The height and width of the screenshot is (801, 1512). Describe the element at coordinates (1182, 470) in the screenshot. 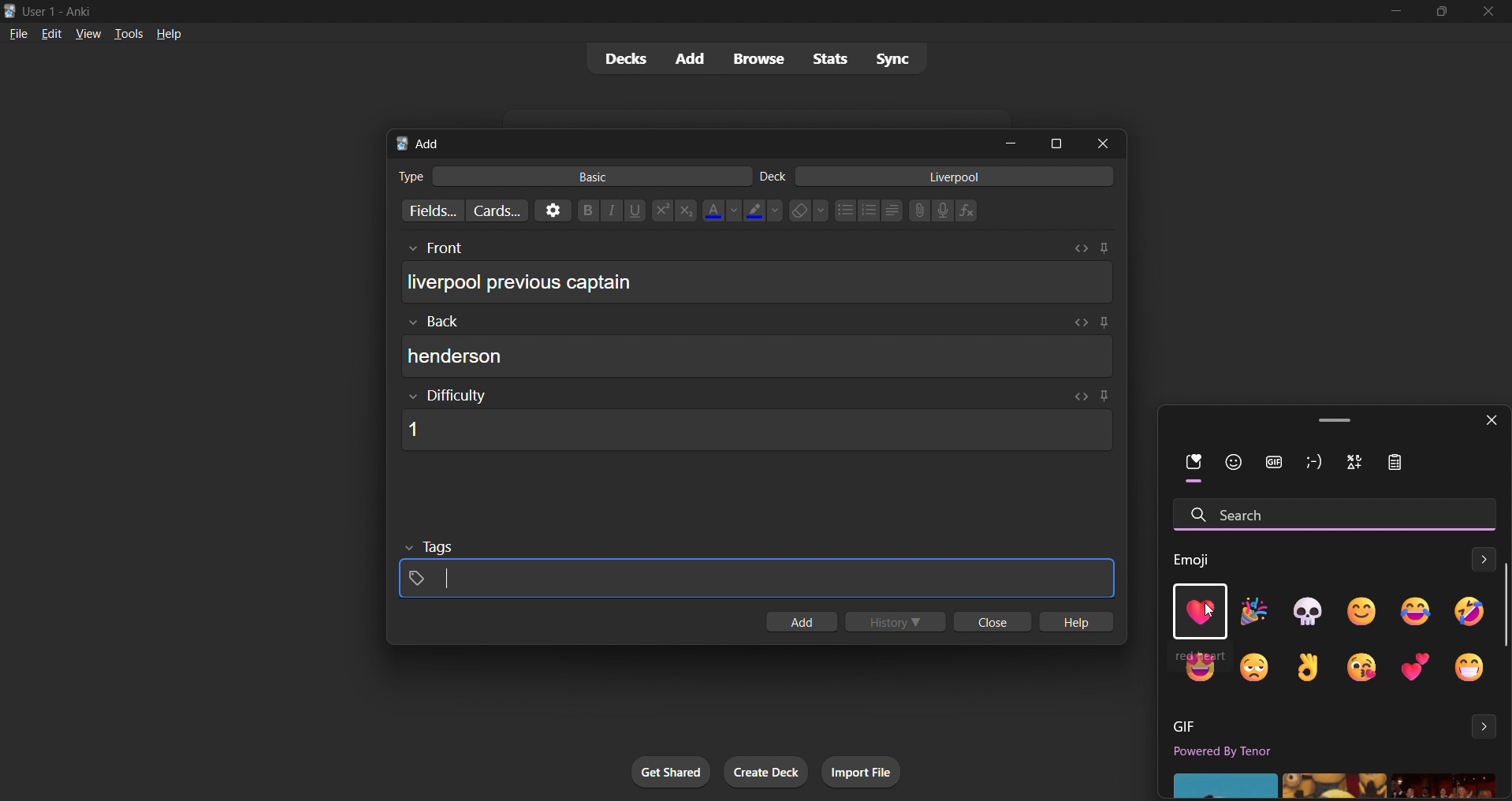

I see `recent emoji filter` at that location.